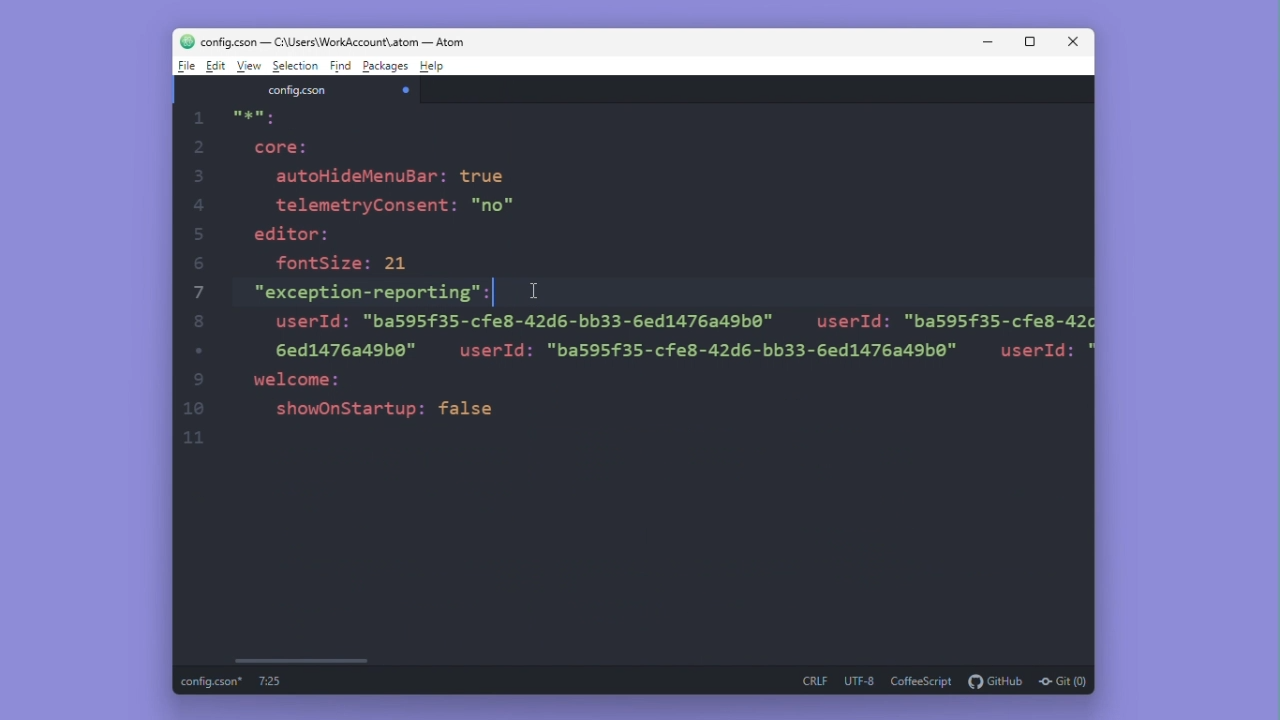 The width and height of the screenshot is (1280, 720). Describe the element at coordinates (922, 681) in the screenshot. I see `coffeescript` at that location.